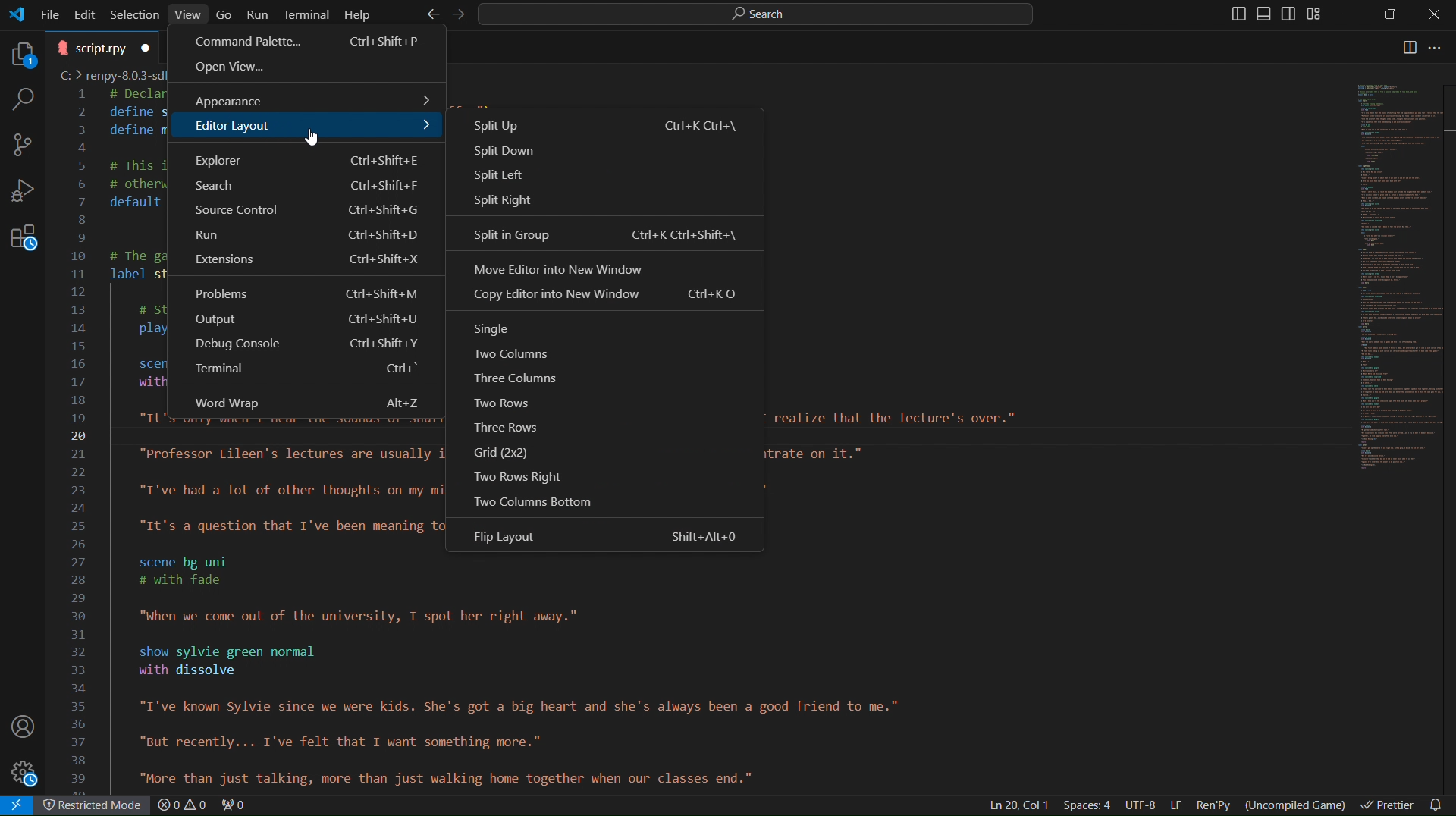 The width and height of the screenshot is (1456, 816). I want to click on Extensions   ctrl+shift+X, so click(306, 263).